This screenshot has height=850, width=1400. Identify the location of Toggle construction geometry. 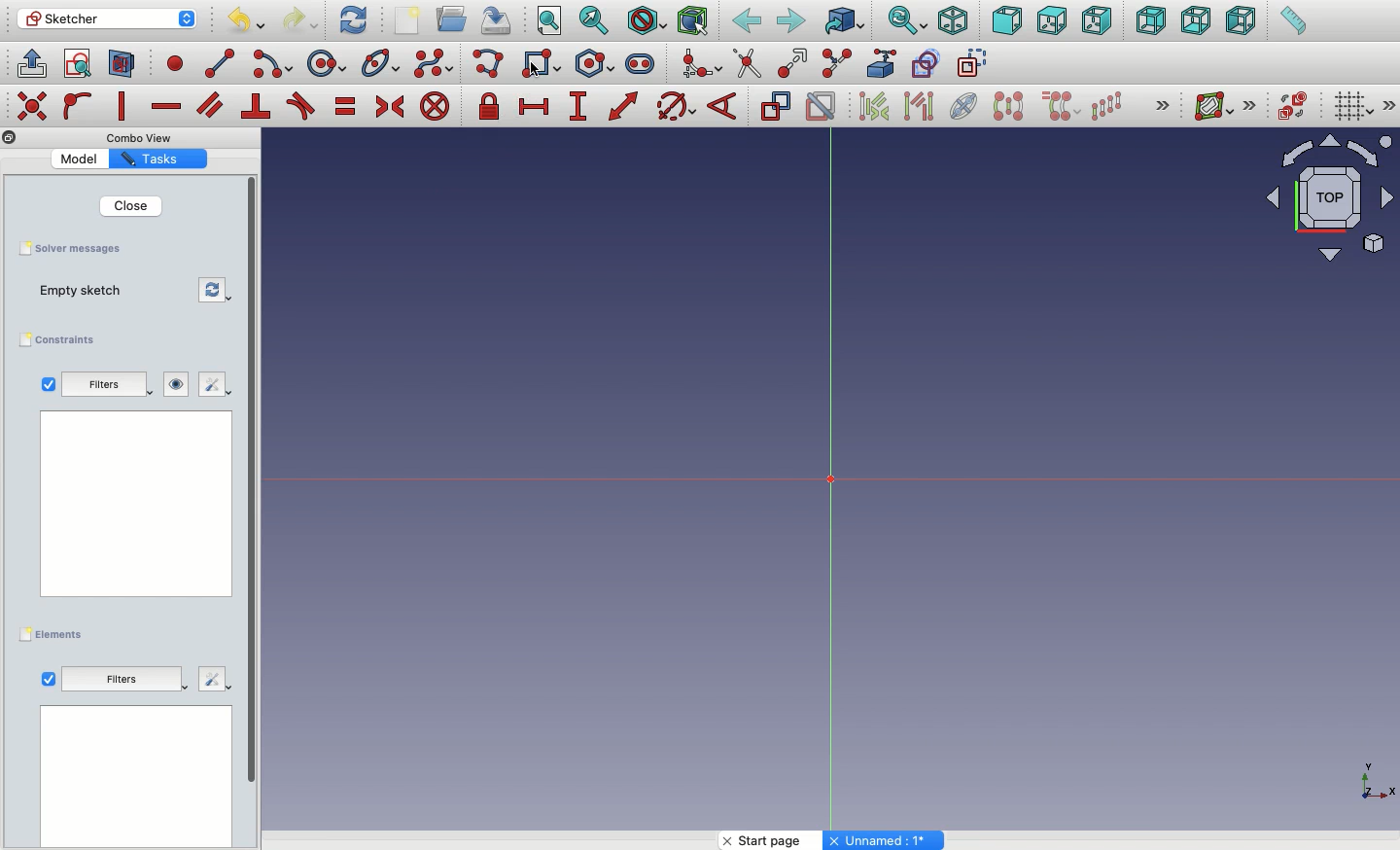
(973, 62).